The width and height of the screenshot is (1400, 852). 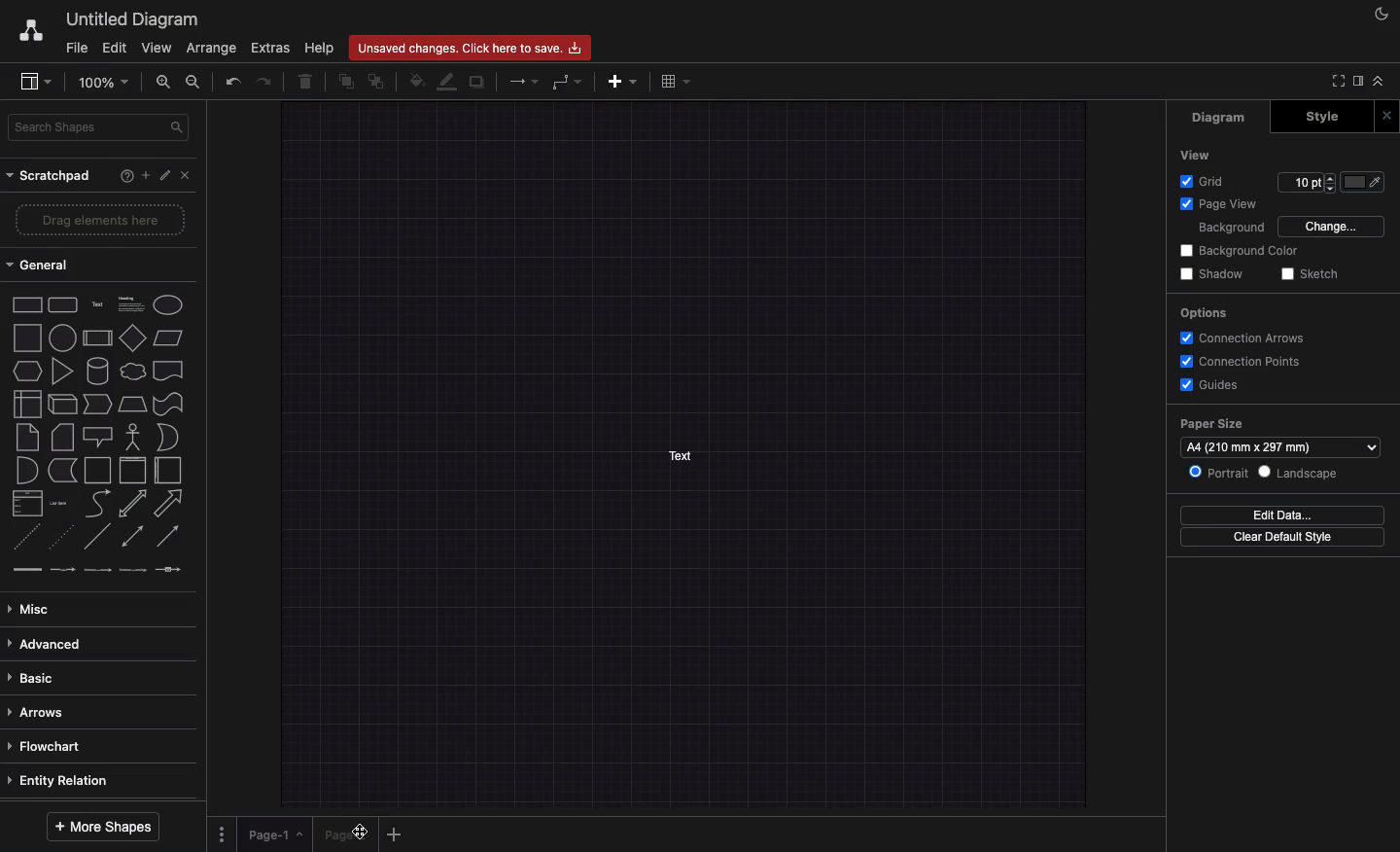 I want to click on View, so click(x=157, y=47).